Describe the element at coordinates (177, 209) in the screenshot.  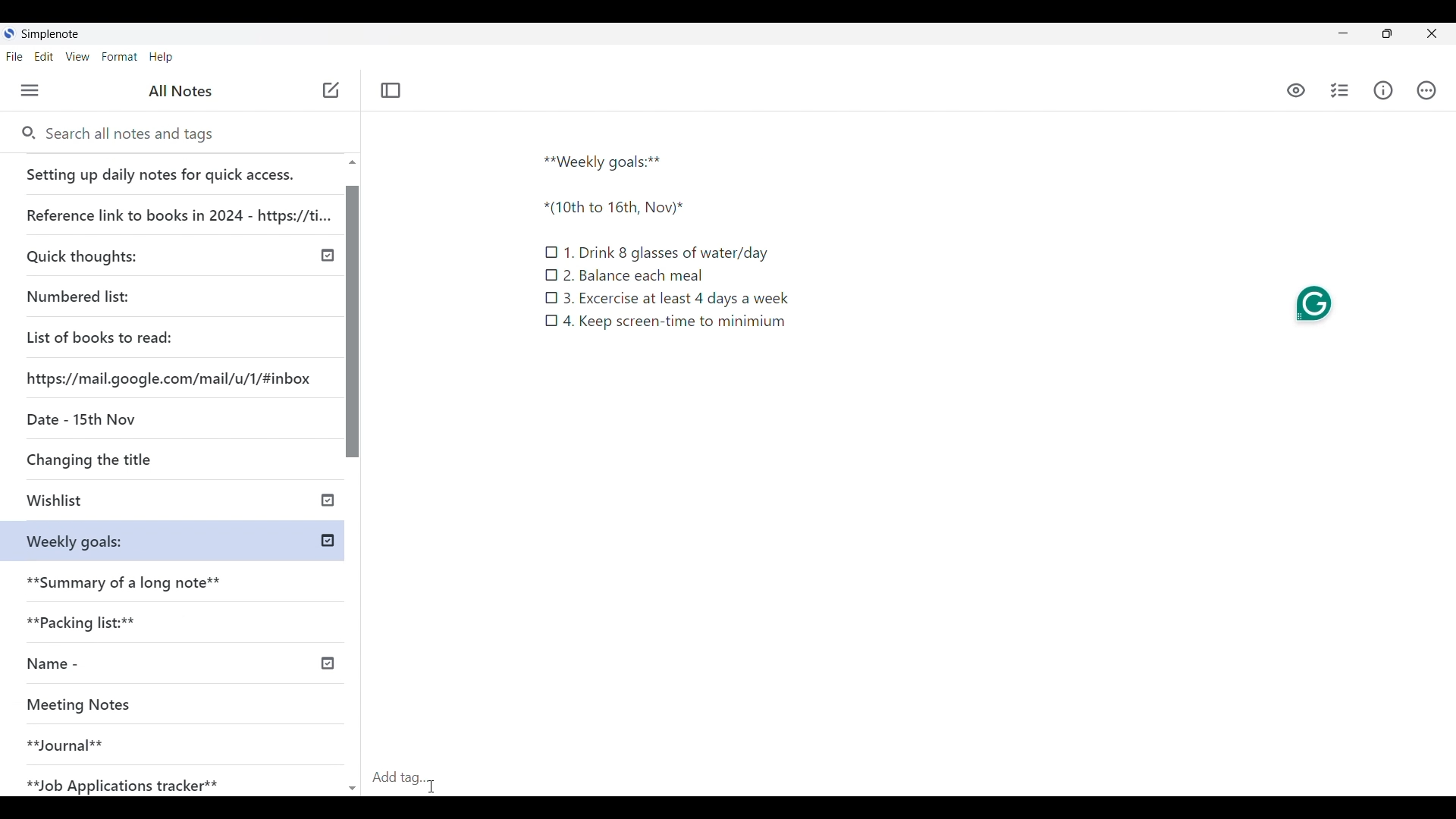
I see `Reference link` at that location.